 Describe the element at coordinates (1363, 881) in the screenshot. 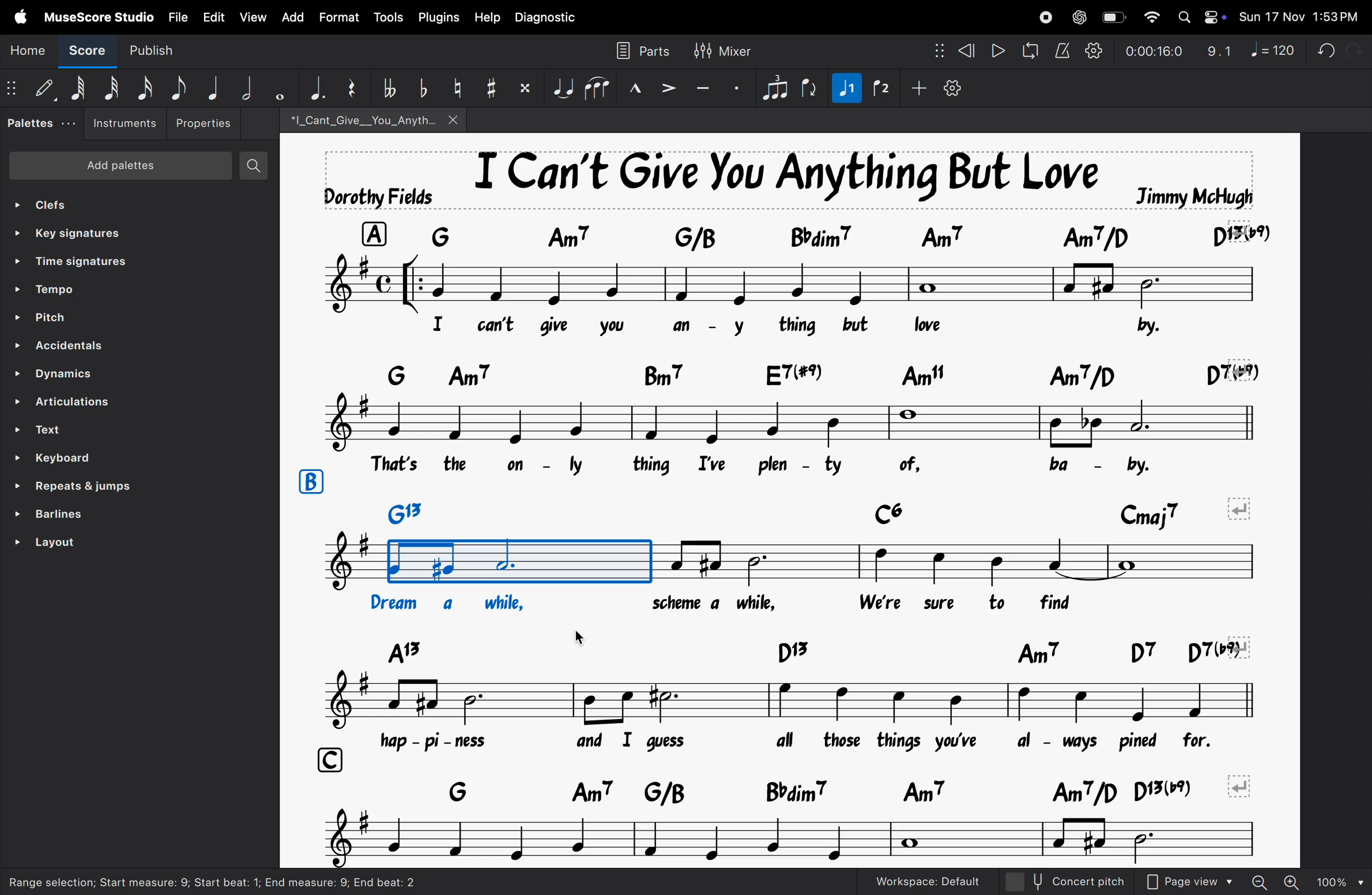

I see `cursor on rythym` at that location.